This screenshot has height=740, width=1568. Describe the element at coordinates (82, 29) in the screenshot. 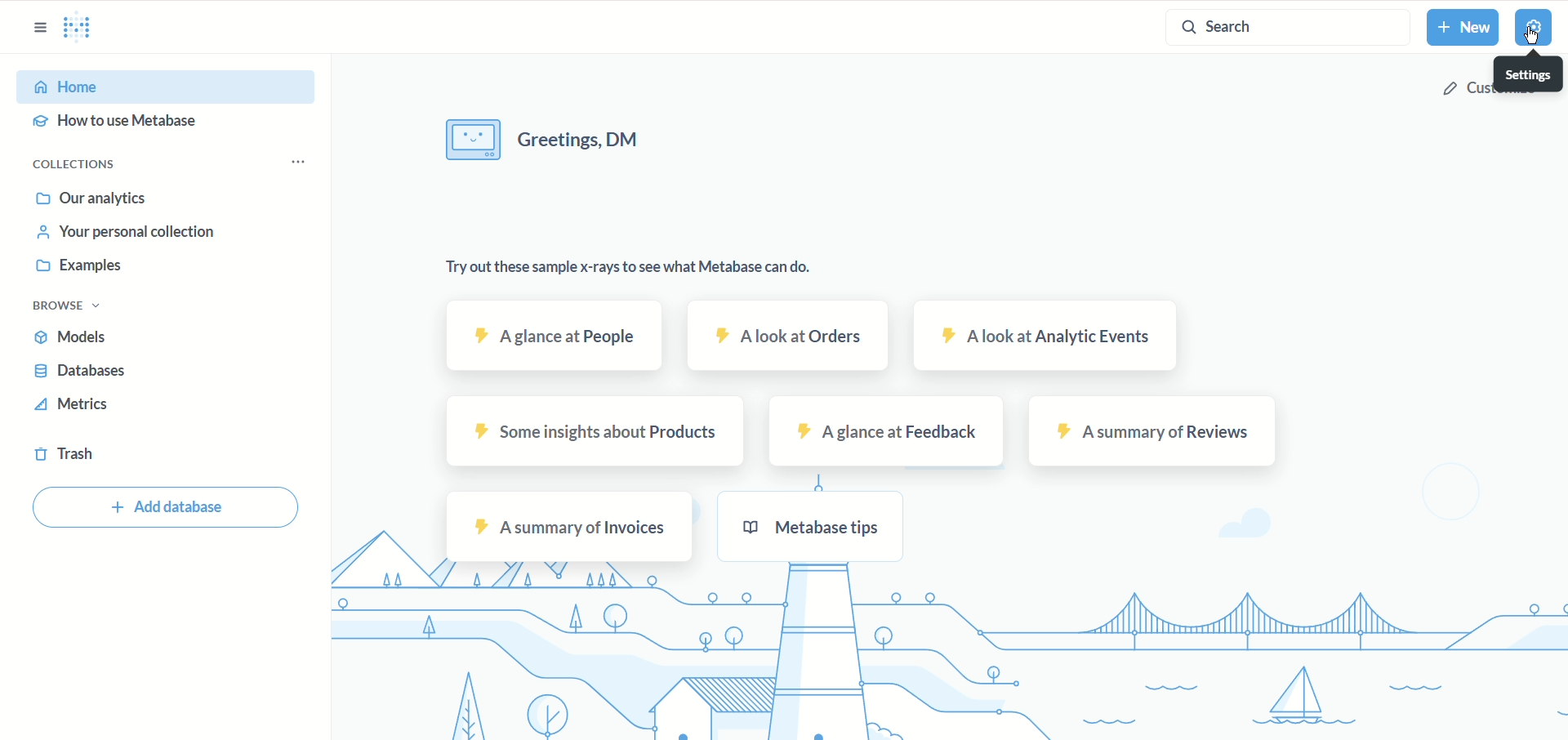

I see `Metabase home` at that location.